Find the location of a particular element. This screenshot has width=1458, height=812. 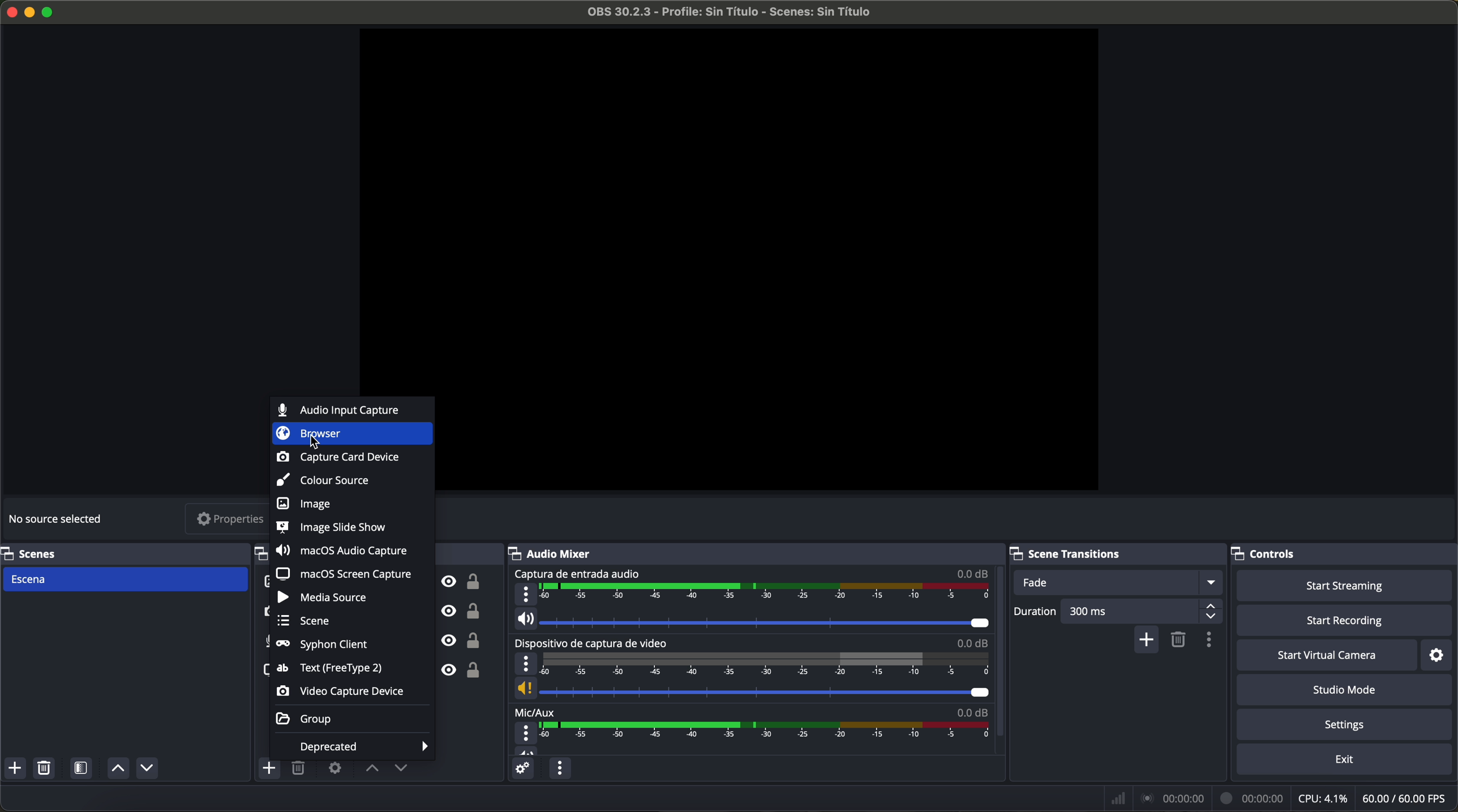

macOS audio capture is located at coordinates (344, 552).